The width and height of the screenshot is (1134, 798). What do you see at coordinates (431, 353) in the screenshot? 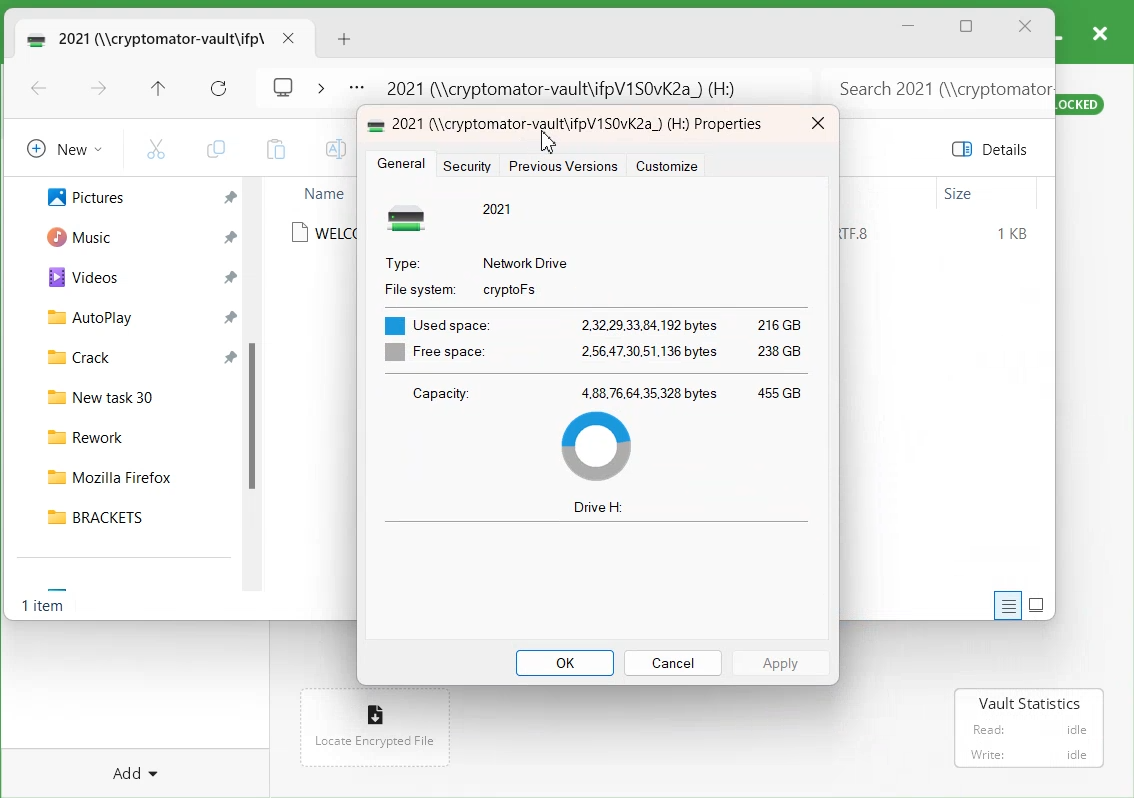
I see `I Free space:` at bounding box center [431, 353].